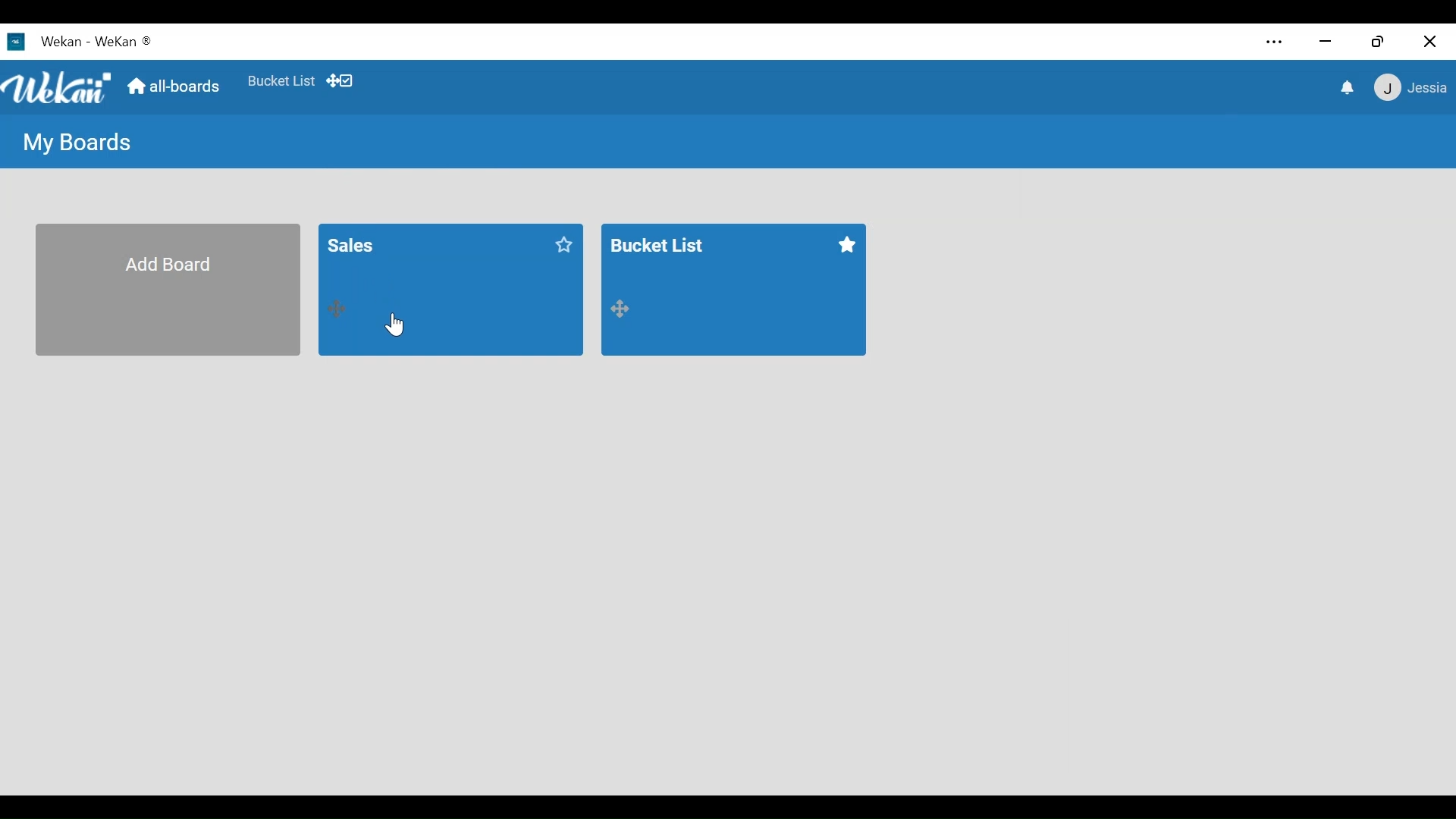  What do you see at coordinates (81, 40) in the screenshot?
I see `Wekan` at bounding box center [81, 40].